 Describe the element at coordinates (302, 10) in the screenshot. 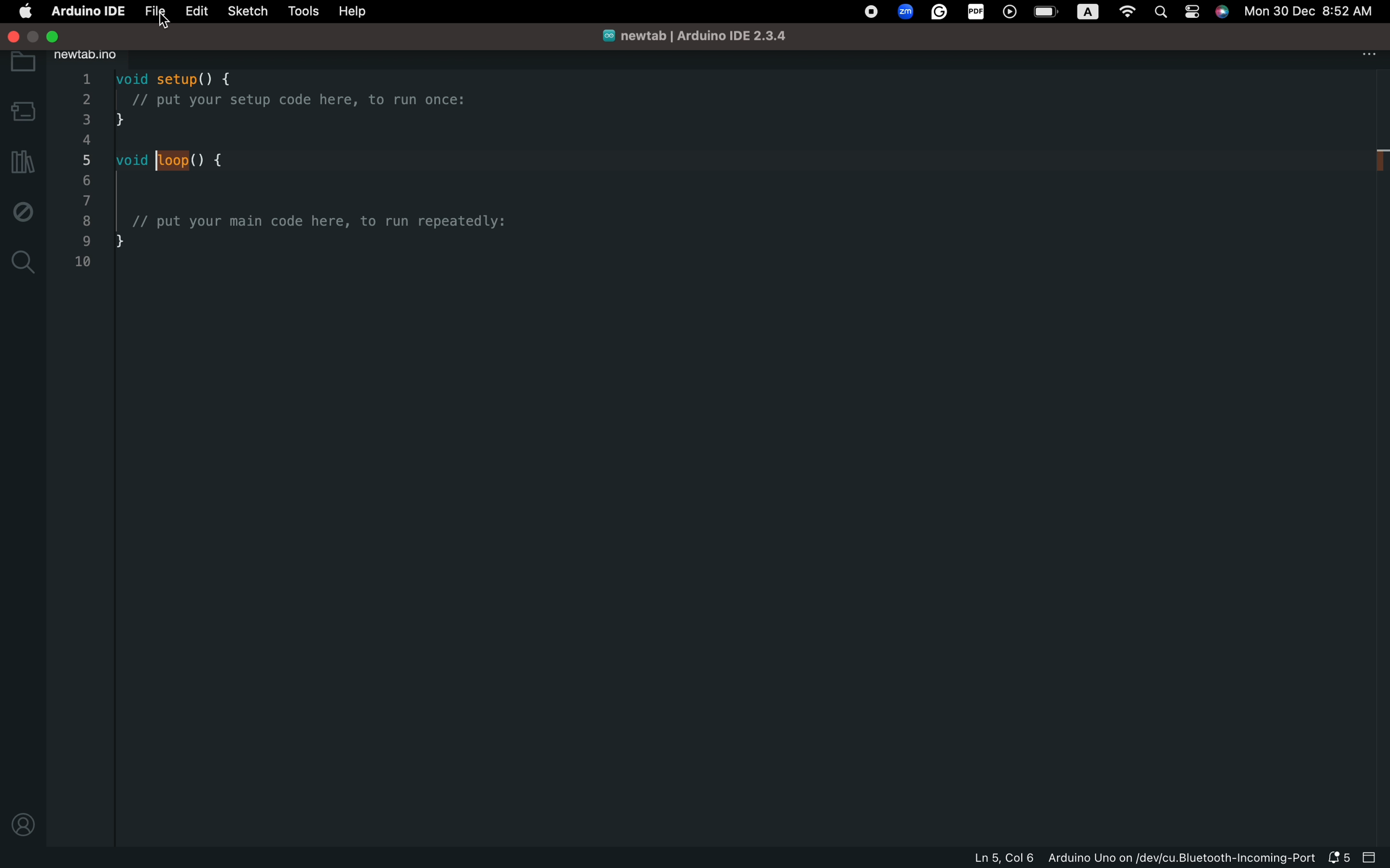

I see `tools` at that location.